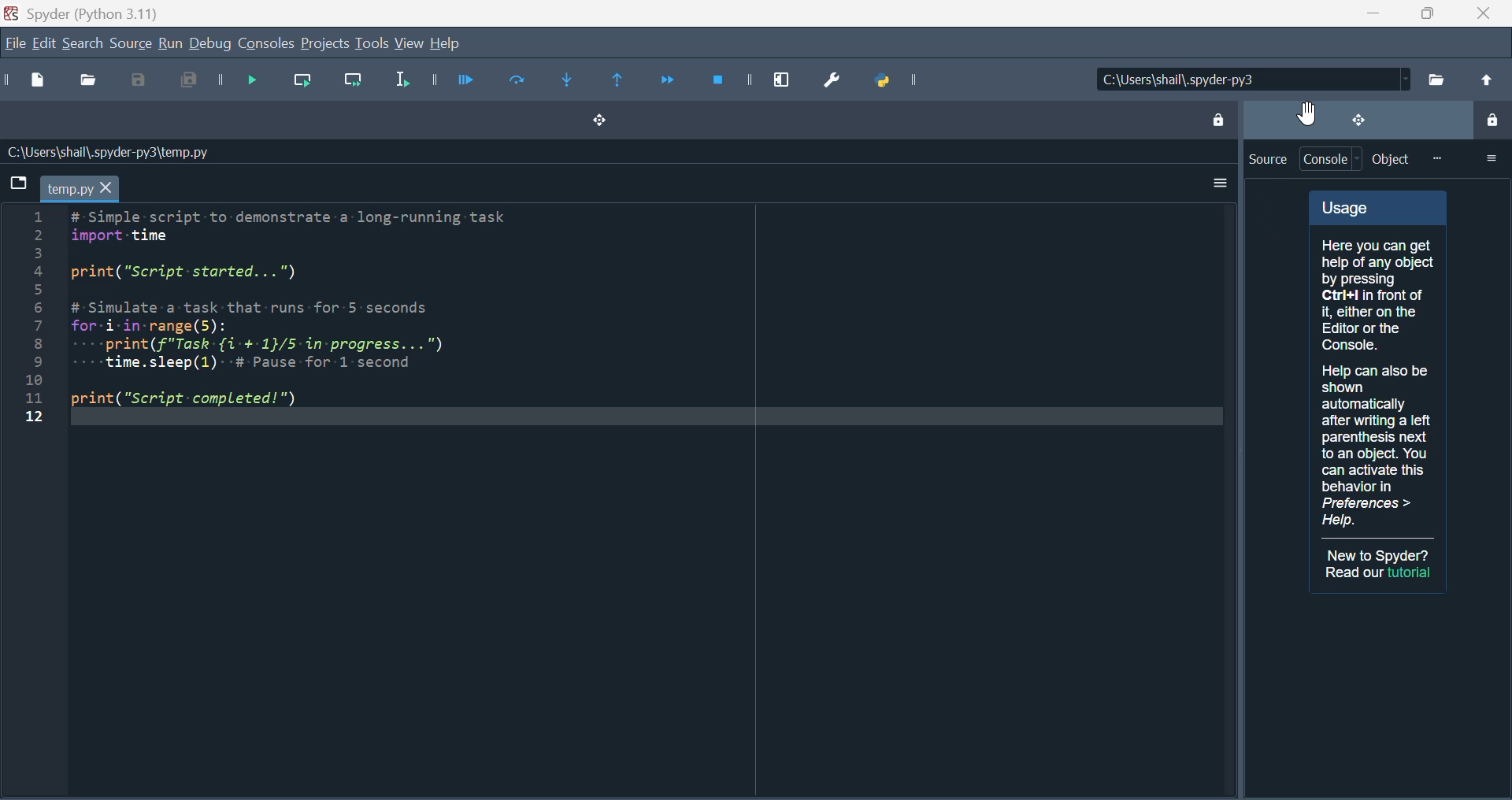  What do you see at coordinates (782, 76) in the screenshot?
I see `Maximise current window` at bounding box center [782, 76].